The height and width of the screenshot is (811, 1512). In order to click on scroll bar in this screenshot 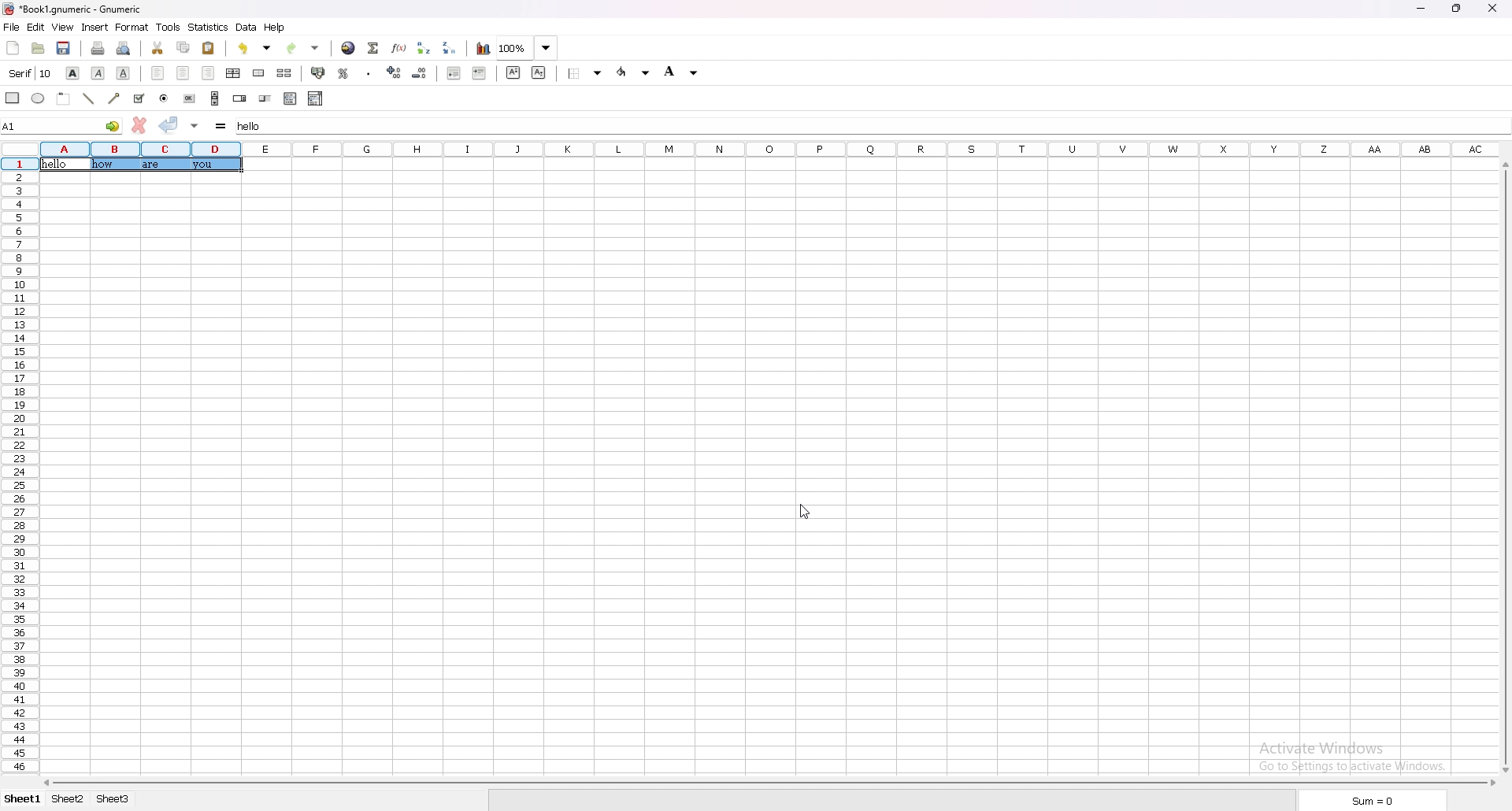, I will do `click(1504, 466)`.